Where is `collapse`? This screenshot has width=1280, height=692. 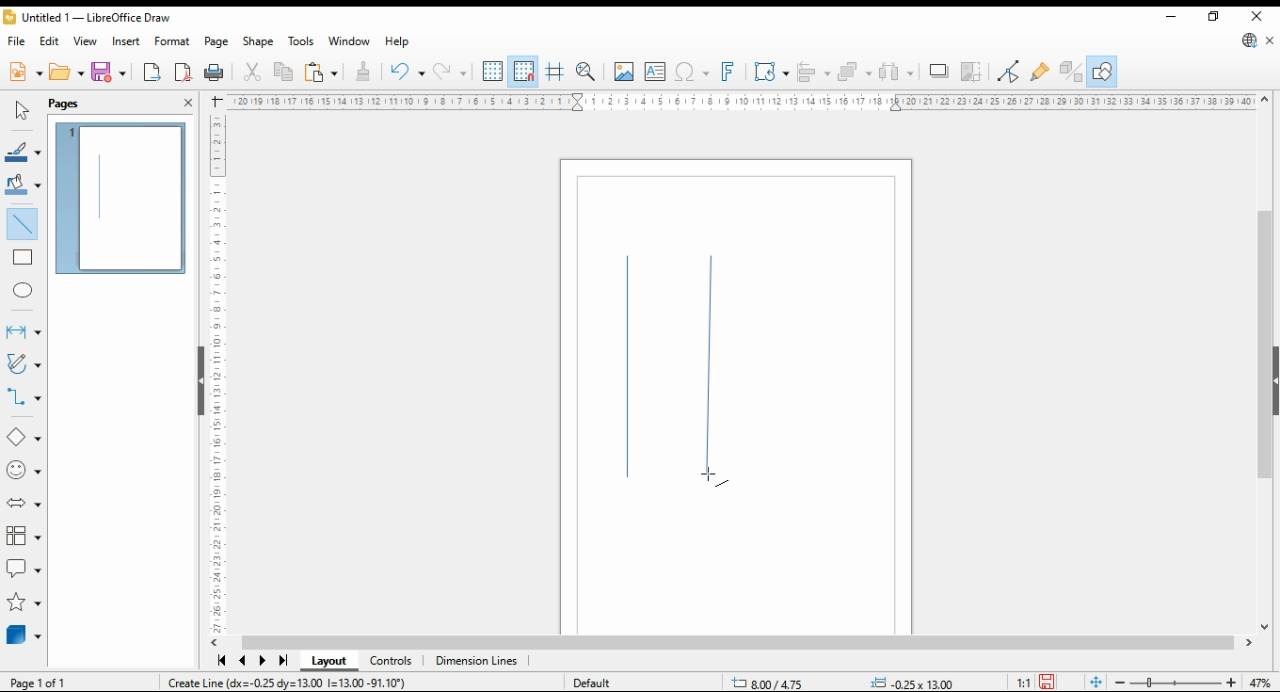
collapse is located at coordinates (199, 379).